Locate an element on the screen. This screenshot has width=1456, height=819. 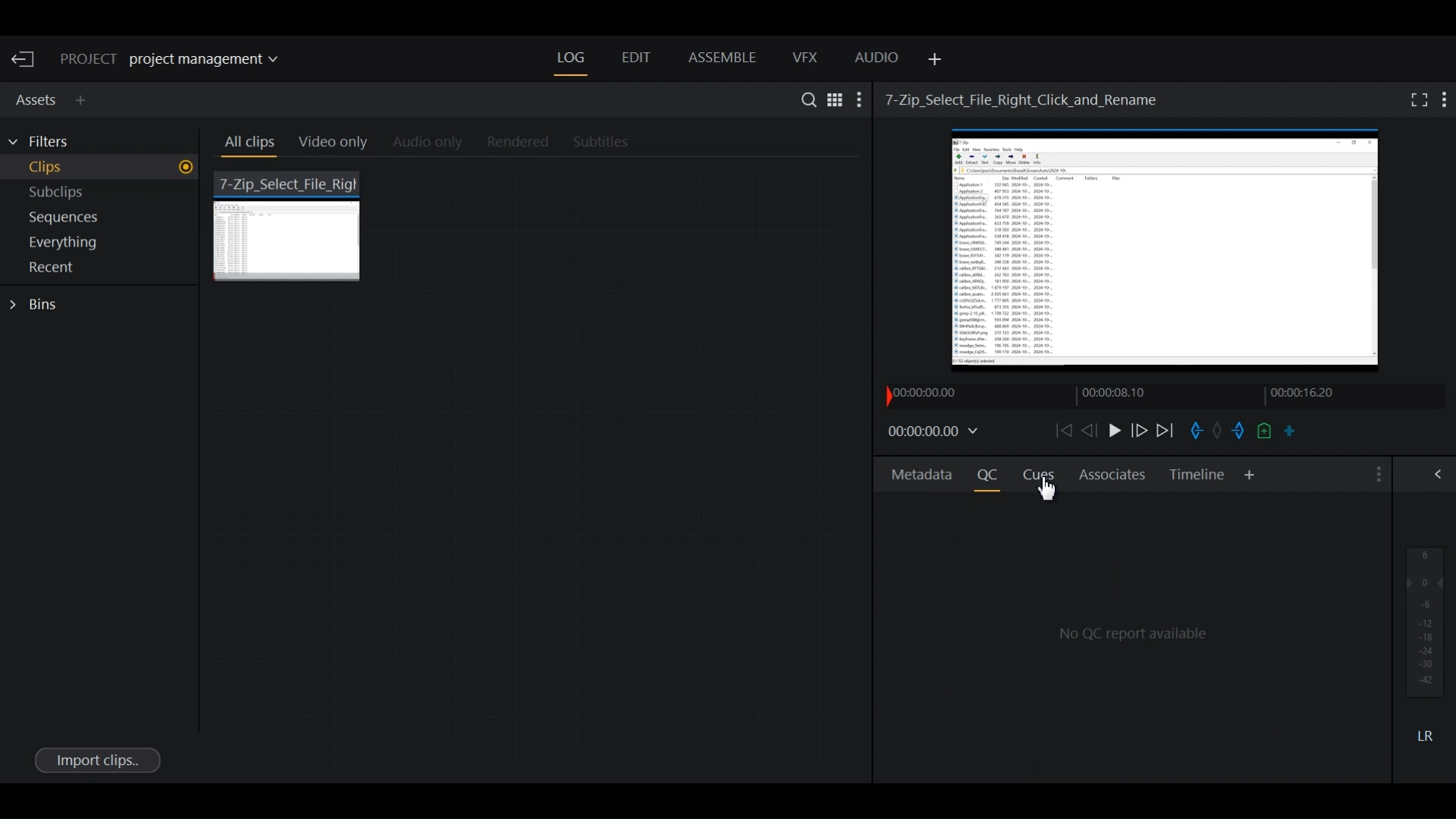
Make a subclip from the marked section is located at coordinates (1290, 430).